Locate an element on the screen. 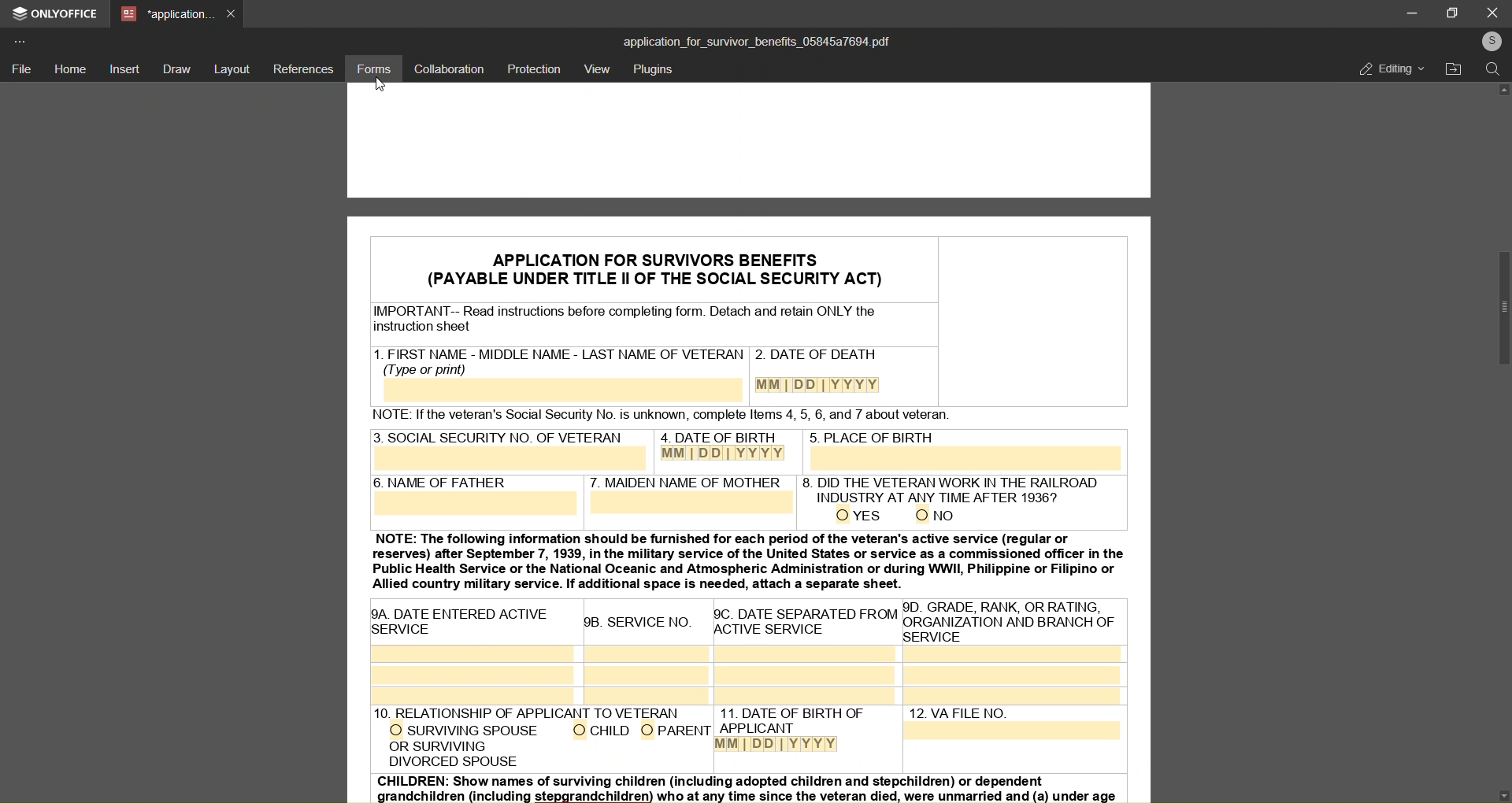  close is located at coordinates (1492, 12).